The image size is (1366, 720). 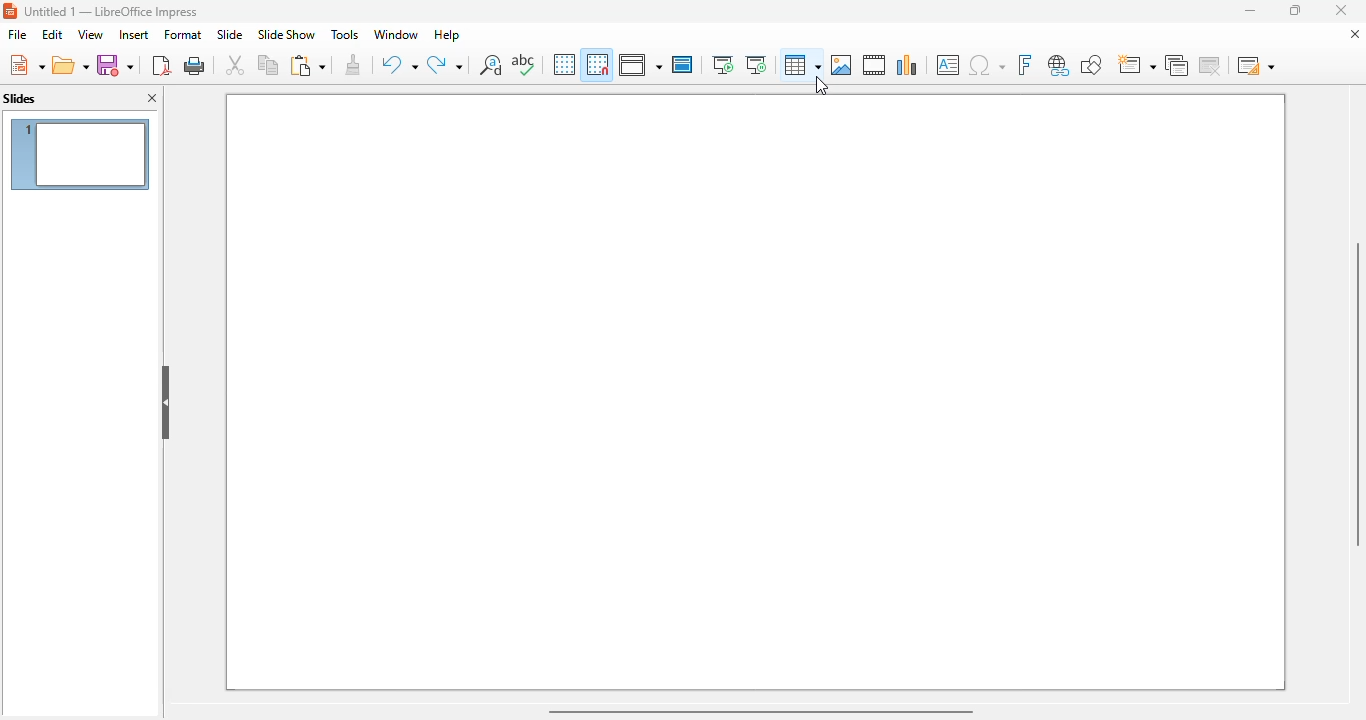 What do you see at coordinates (598, 64) in the screenshot?
I see `snap to grid` at bounding box center [598, 64].